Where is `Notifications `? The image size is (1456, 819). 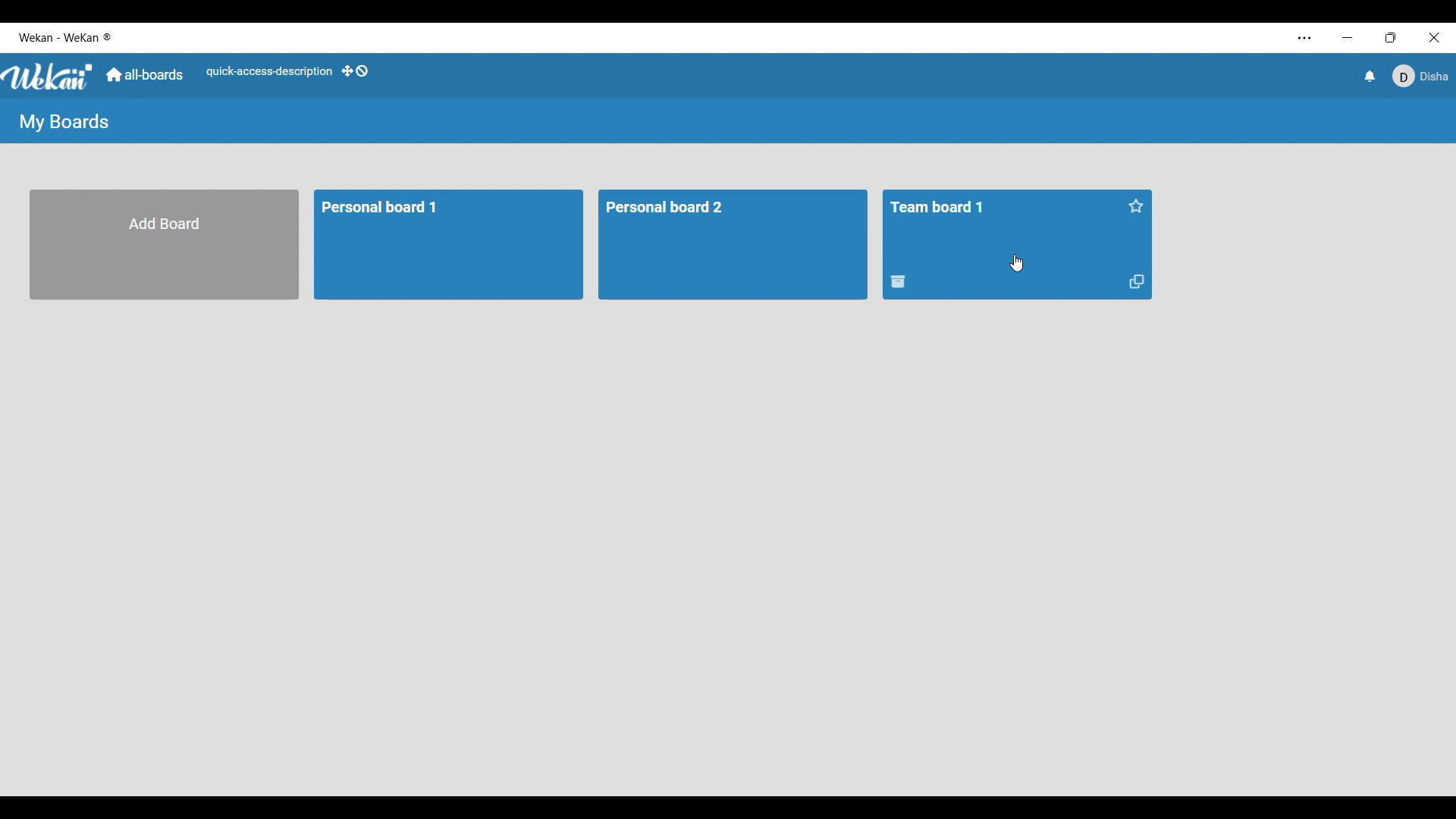
Notifications  is located at coordinates (1370, 76).